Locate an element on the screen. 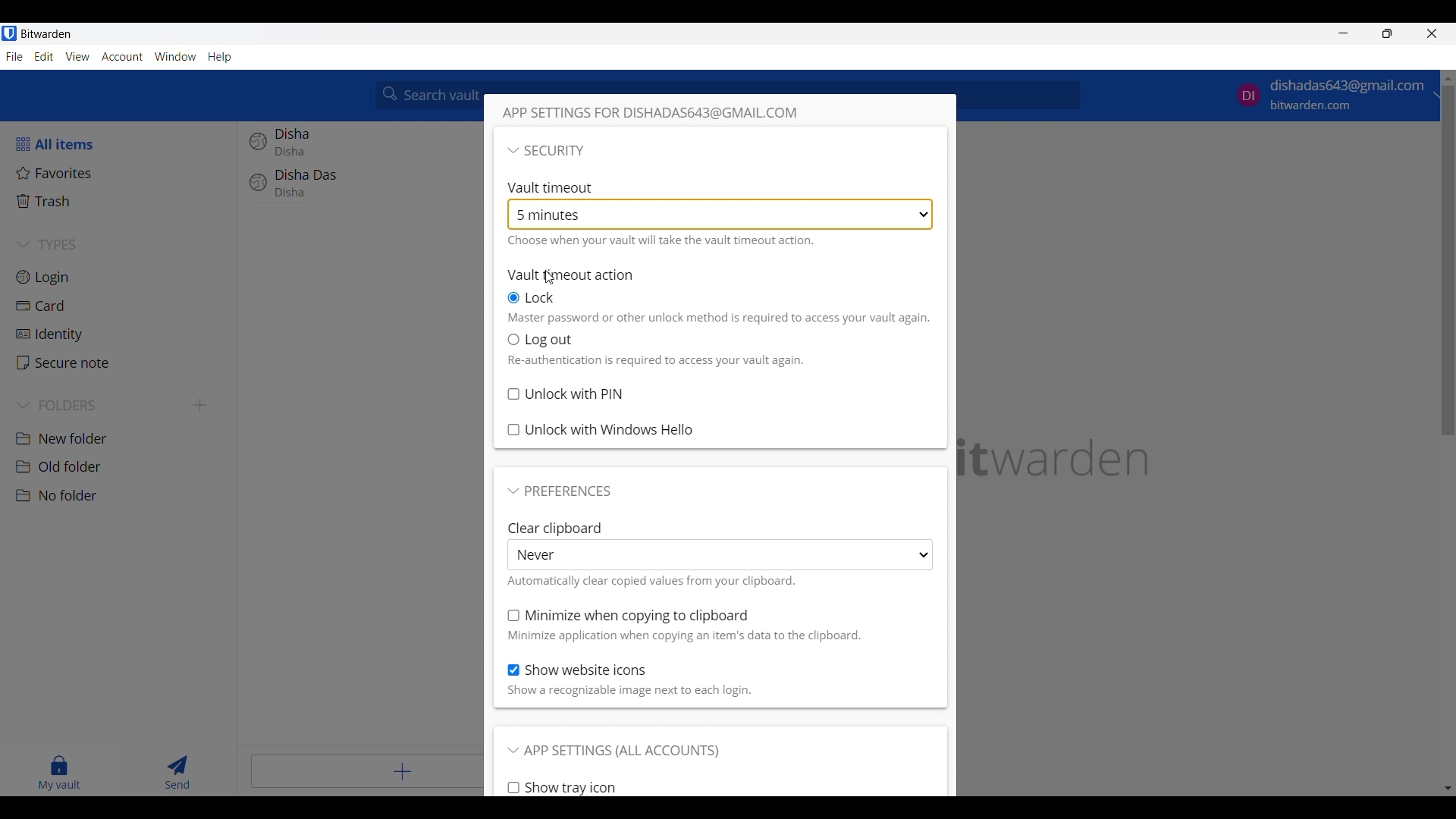 The image size is (1456, 819). Secure note is located at coordinates (121, 362).